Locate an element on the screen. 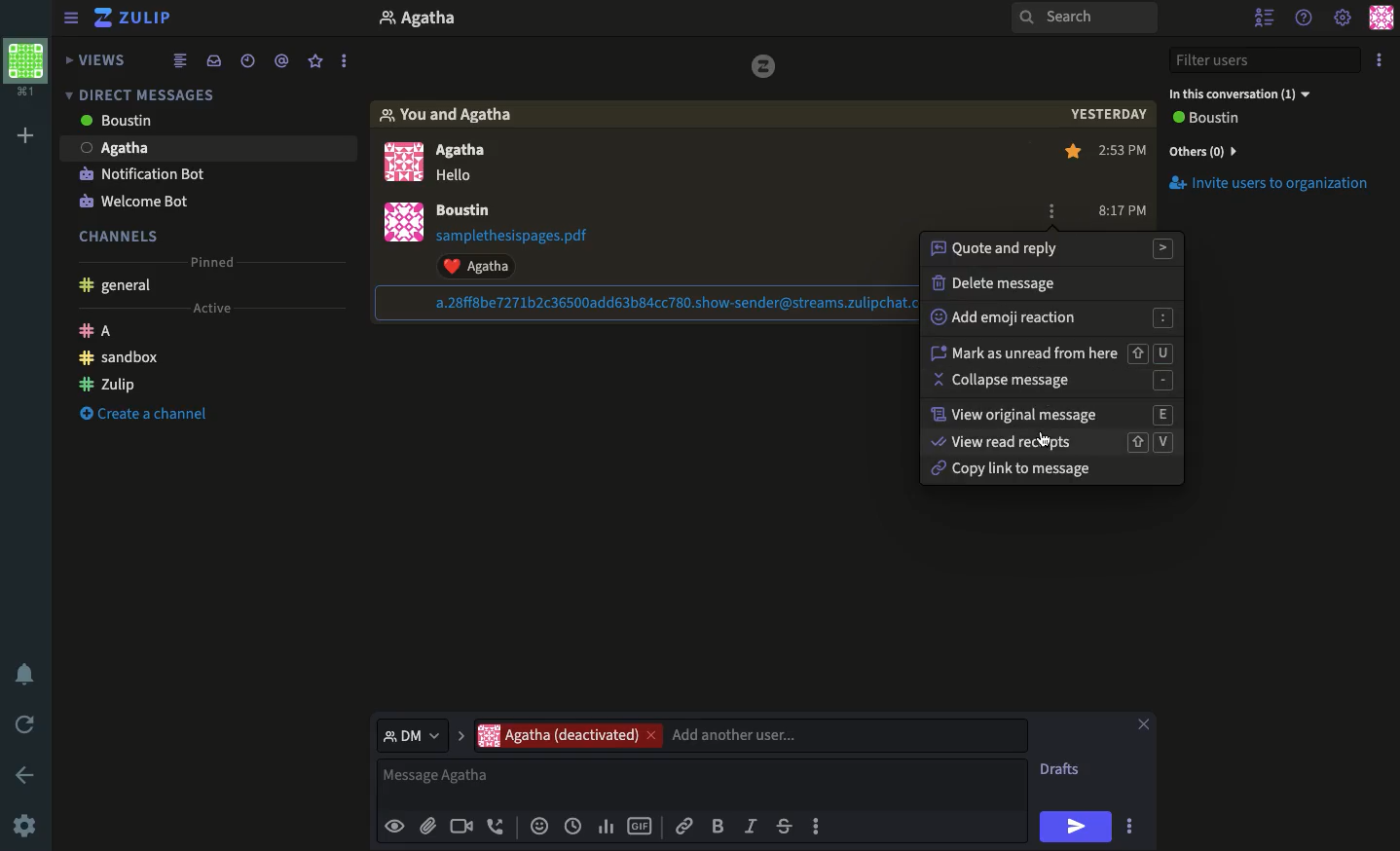 Image resolution: width=1400 pixels, height=851 pixels. agatha is located at coordinates (168, 152).